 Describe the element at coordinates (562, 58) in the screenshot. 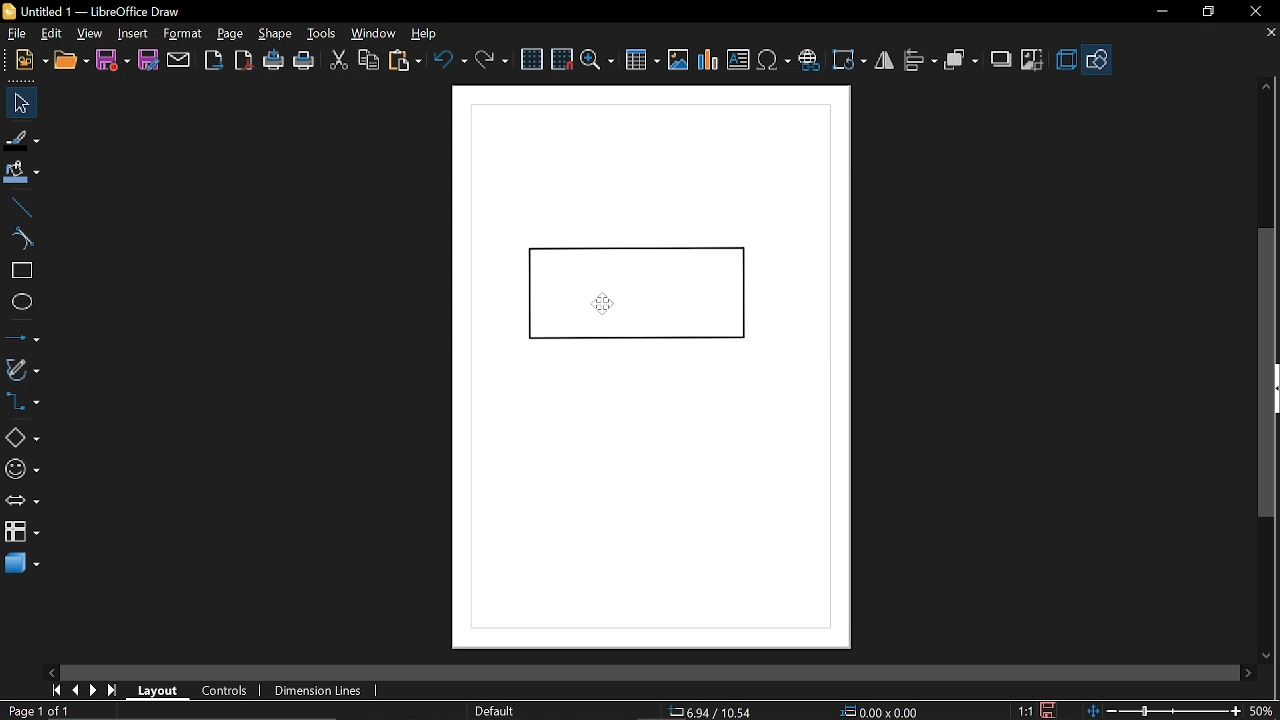

I see `snap to grid` at that location.